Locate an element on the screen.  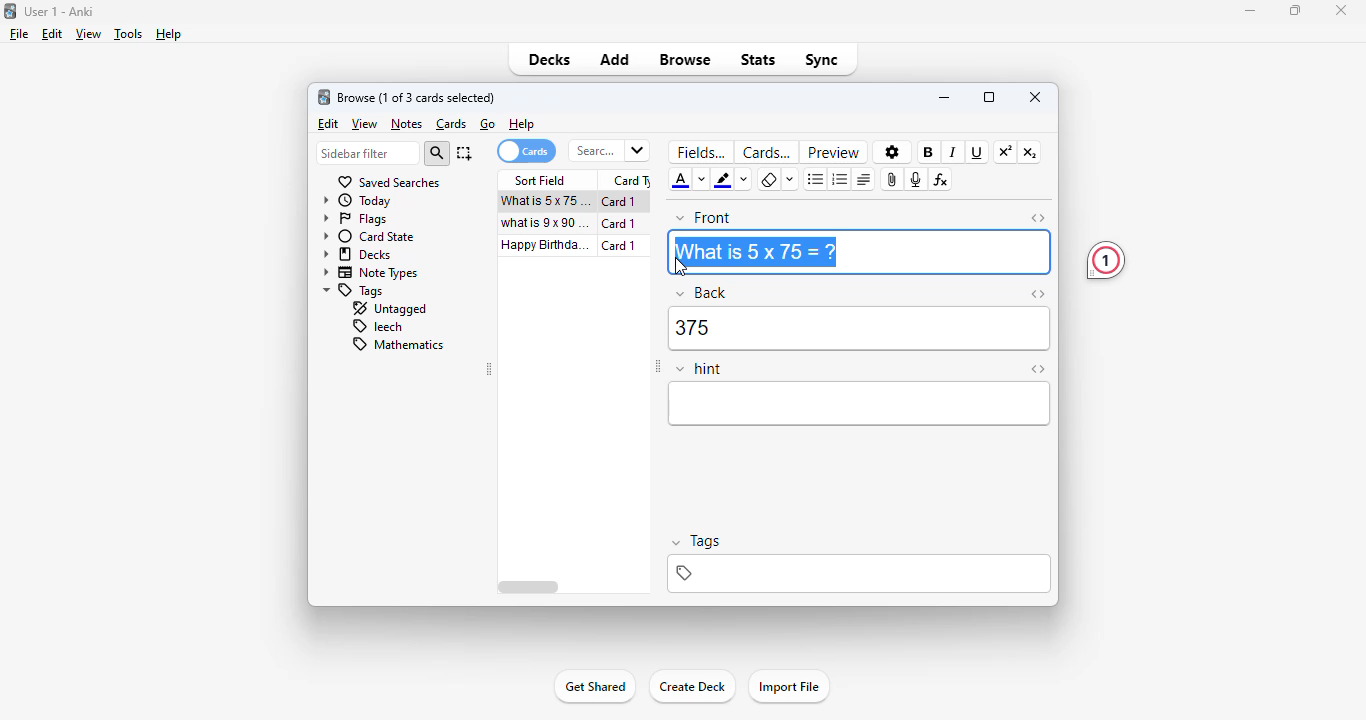
tools is located at coordinates (130, 34).